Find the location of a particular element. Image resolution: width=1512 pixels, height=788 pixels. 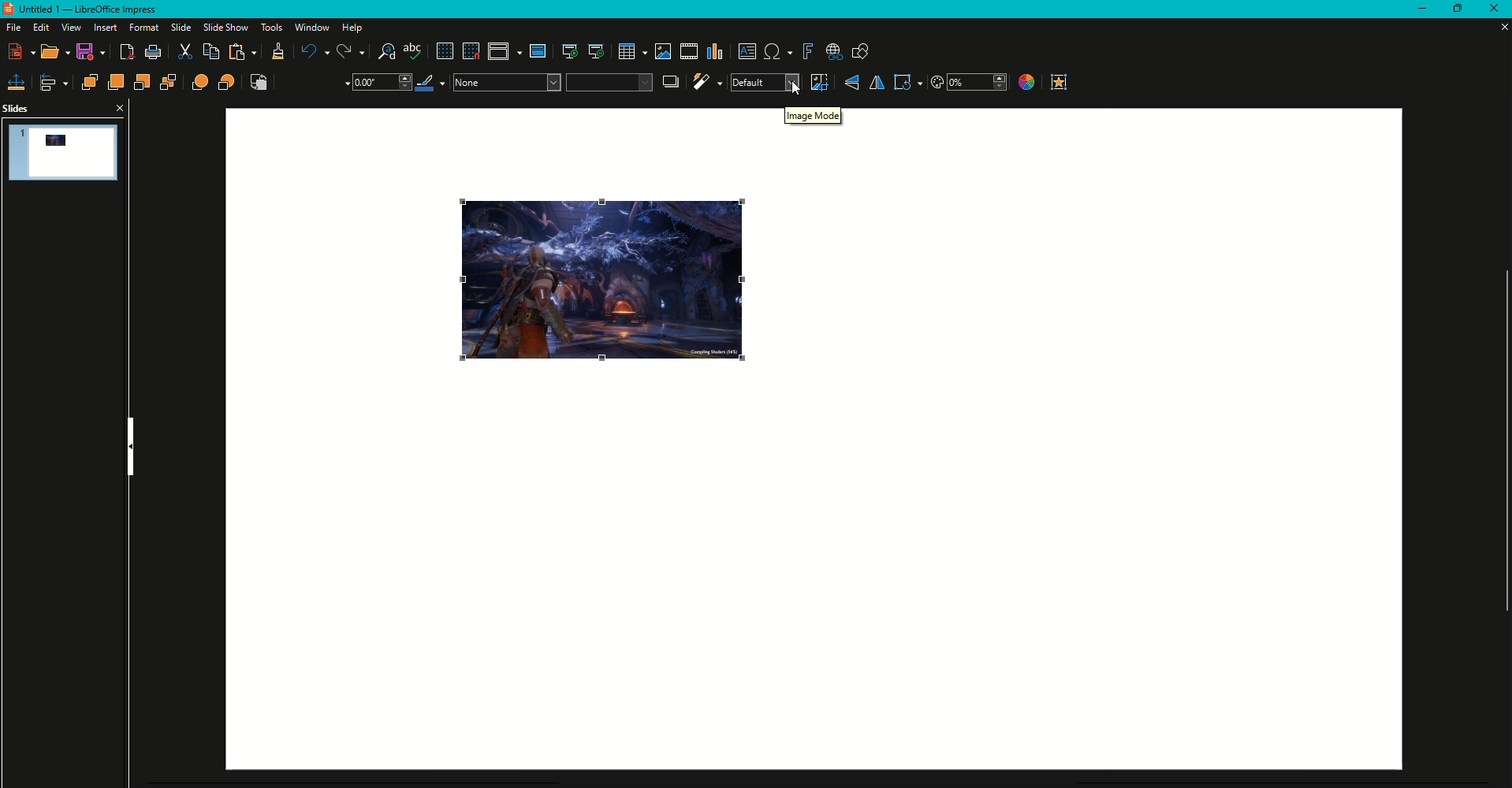

Bring to front is located at coordinates (89, 82).